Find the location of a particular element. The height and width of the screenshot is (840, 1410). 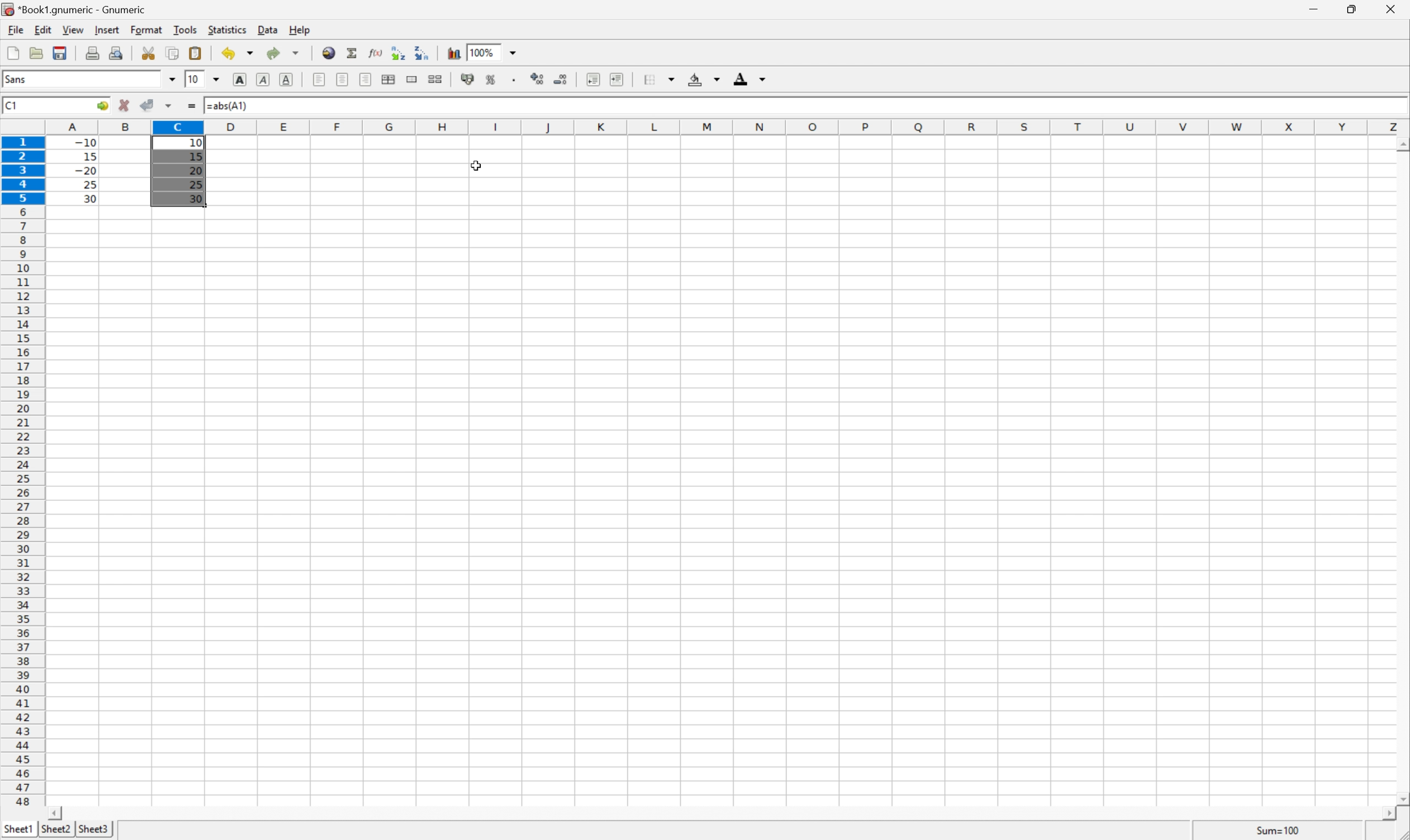

Drop Down is located at coordinates (716, 80).